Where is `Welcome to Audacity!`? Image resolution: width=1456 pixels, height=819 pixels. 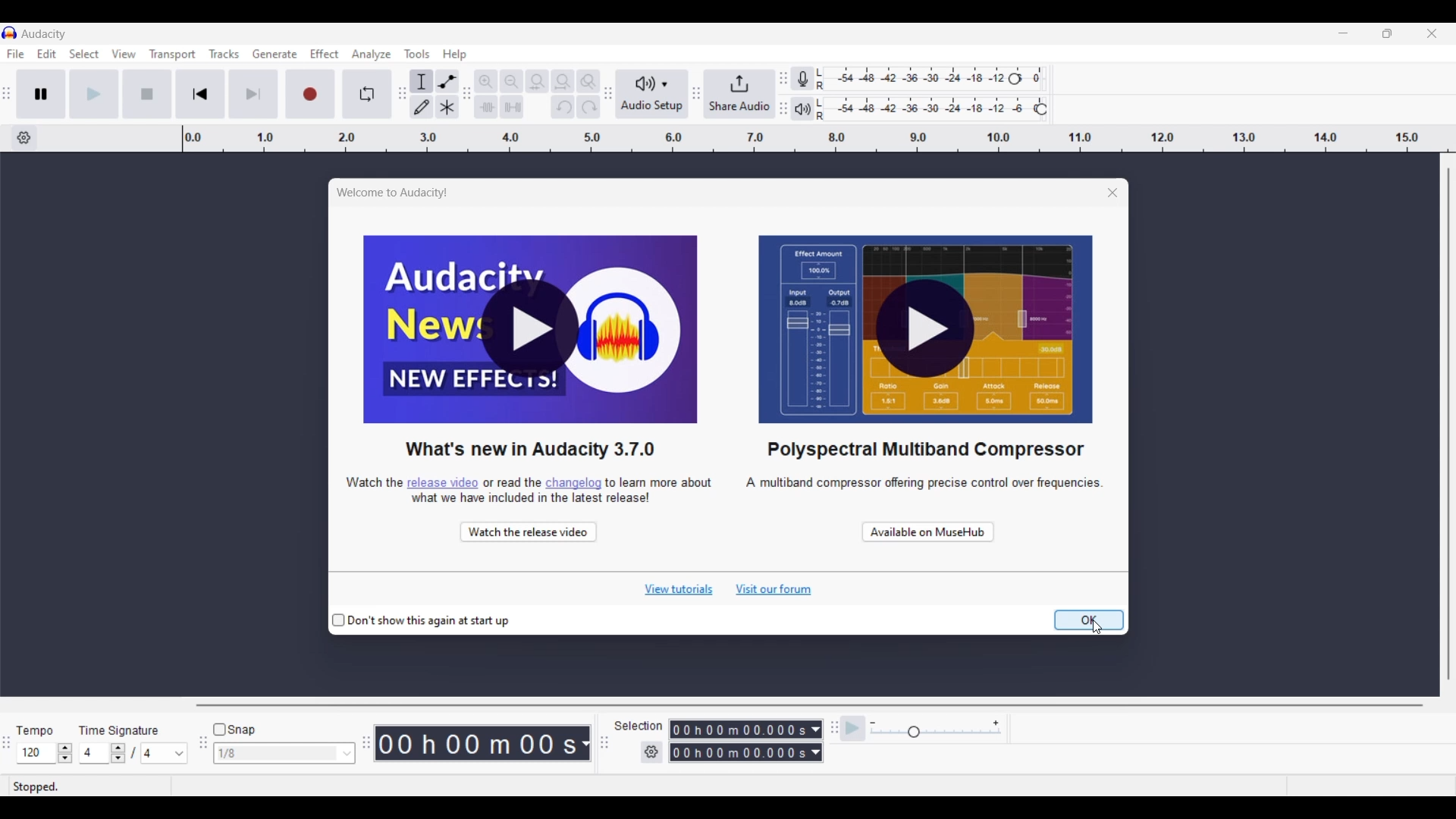 Welcome to Audacity! is located at coordinates (397, 193).